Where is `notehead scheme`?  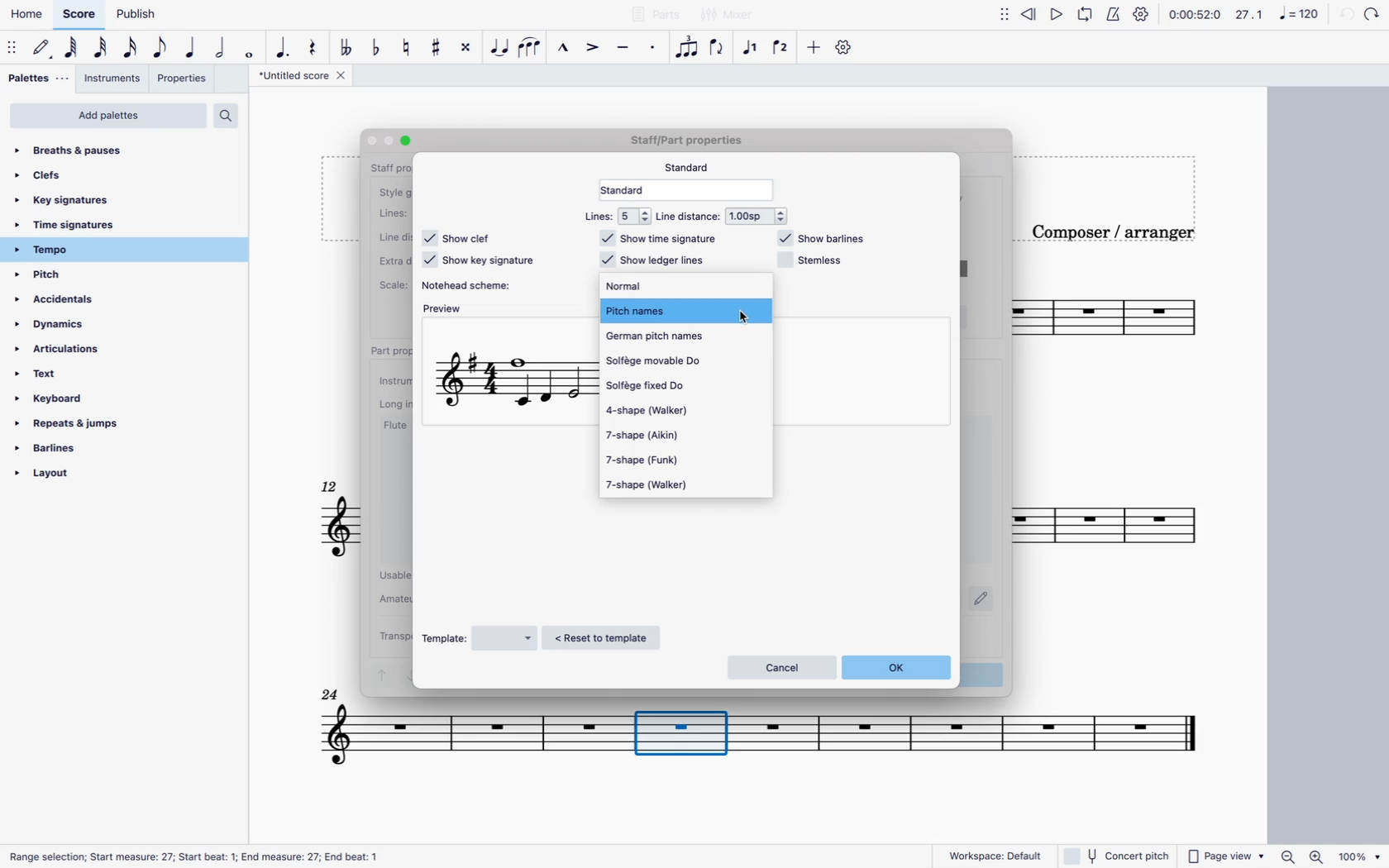 notehead scheme is located at coordinates (475, 285).